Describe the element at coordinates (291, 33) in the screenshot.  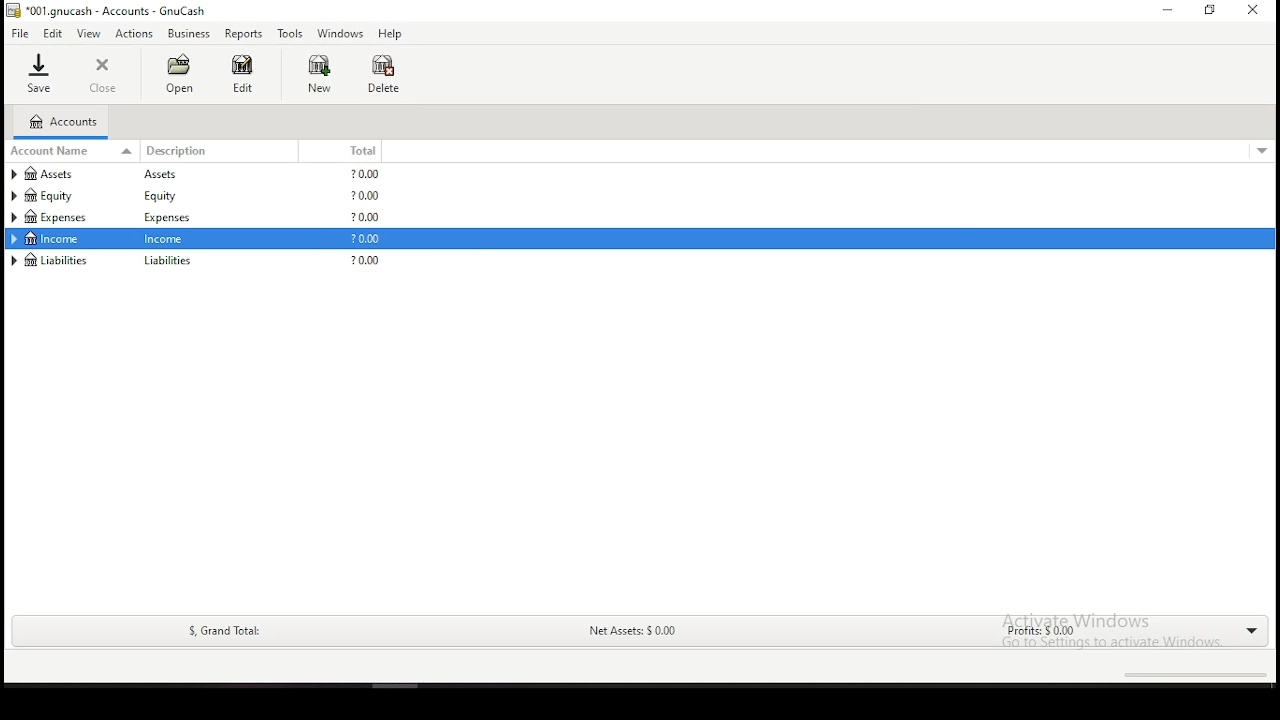
I see `tools` at that location.